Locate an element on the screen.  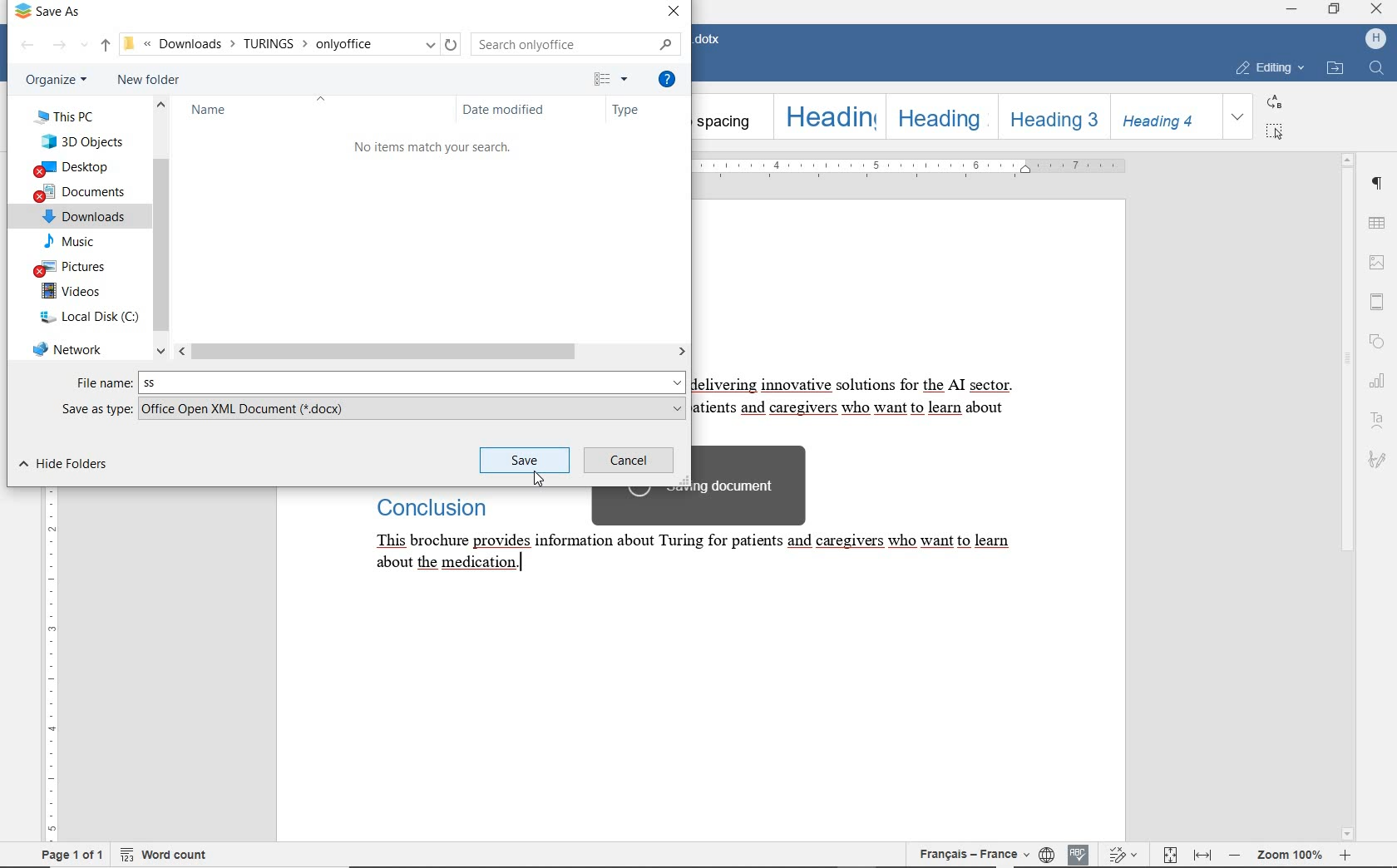
TEXT LANGUAGE is located at coordinates (970, 852).